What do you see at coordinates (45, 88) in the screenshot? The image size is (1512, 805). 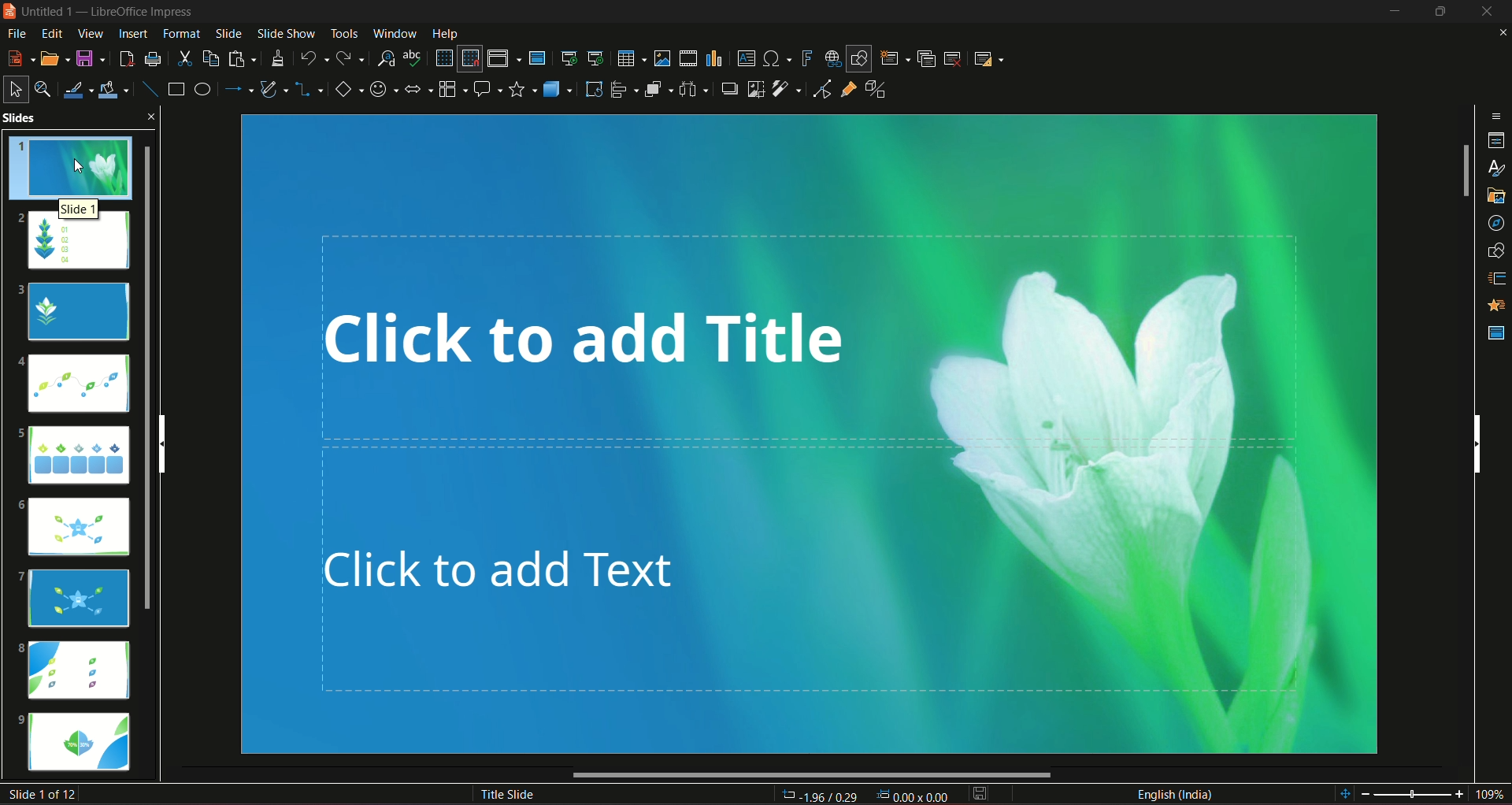 I see `zoom and pan` at bounding box center [45, 88].